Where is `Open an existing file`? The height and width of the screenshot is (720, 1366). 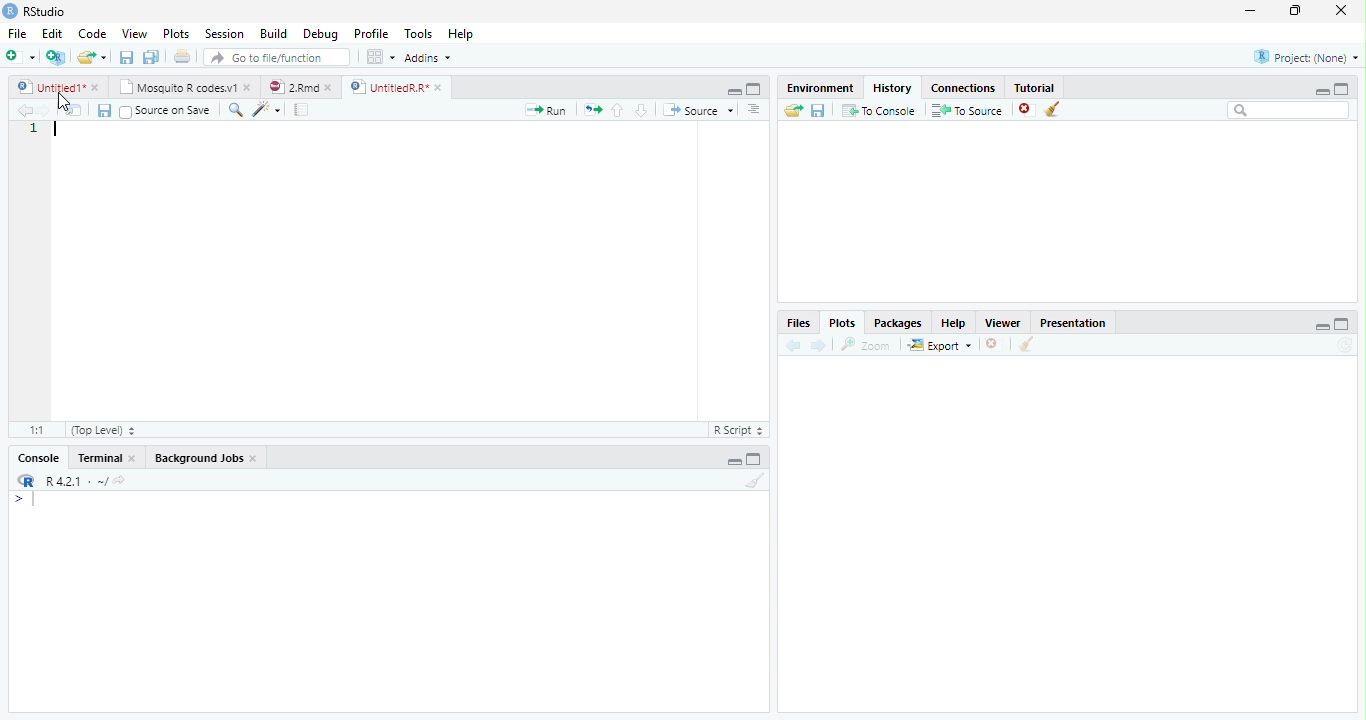
Open an existing file is located at coordinates (85, 57).